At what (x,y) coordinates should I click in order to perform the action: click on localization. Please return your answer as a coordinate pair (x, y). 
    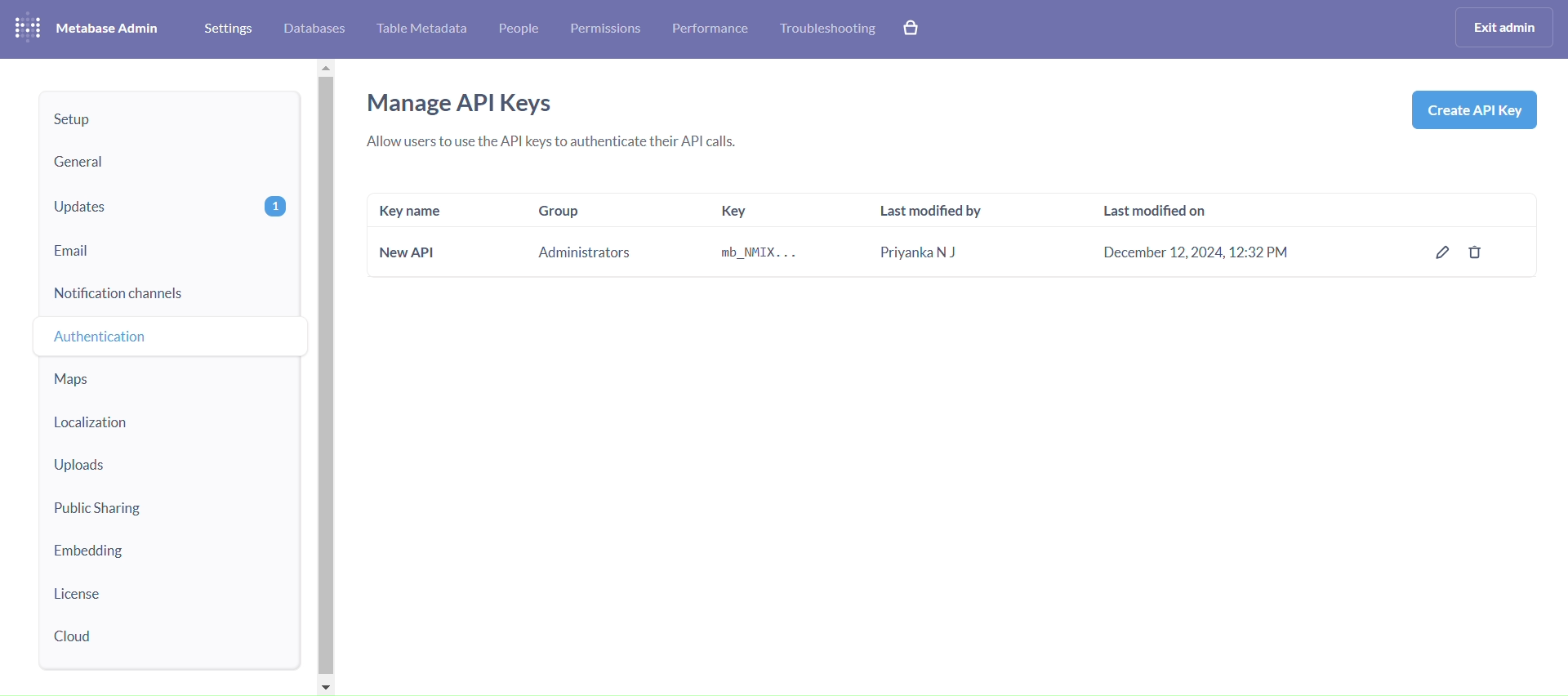
    Looking at the image, I should click on (163, 427).